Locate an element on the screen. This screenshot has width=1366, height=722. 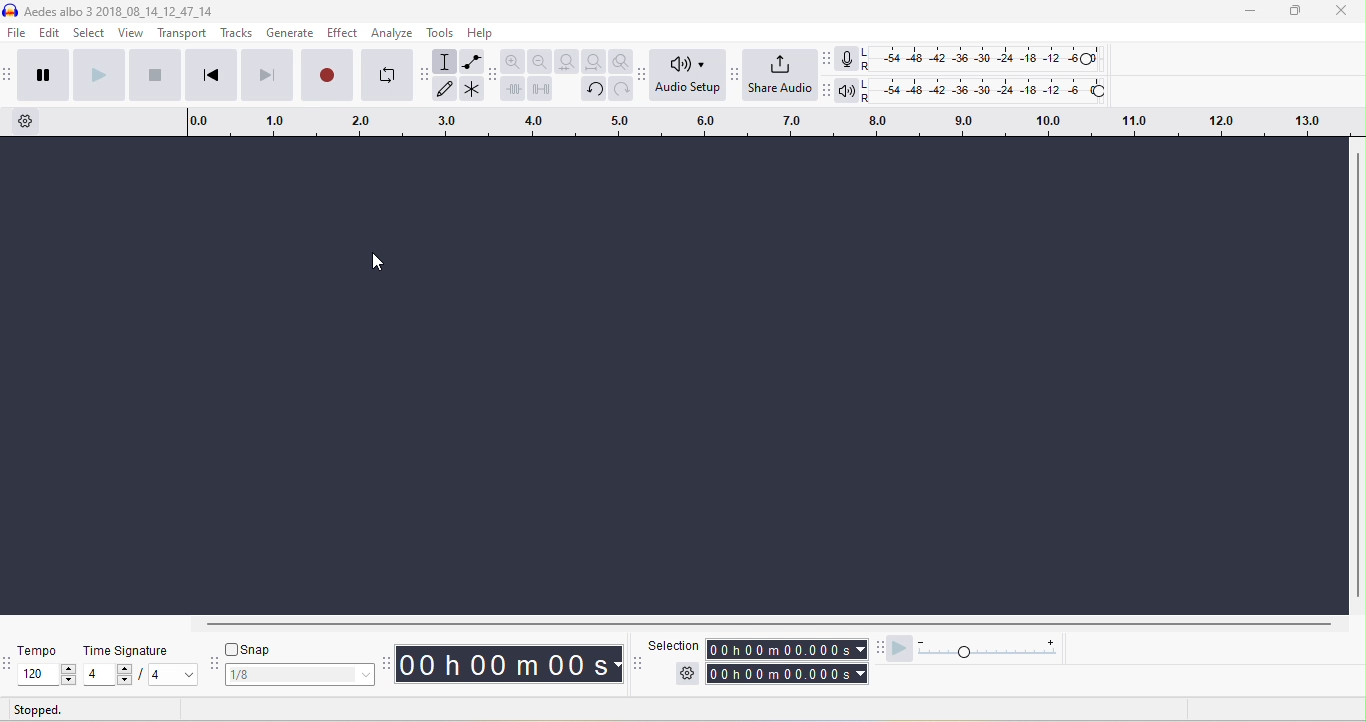
select tempo is located at coordinates (46, 675).